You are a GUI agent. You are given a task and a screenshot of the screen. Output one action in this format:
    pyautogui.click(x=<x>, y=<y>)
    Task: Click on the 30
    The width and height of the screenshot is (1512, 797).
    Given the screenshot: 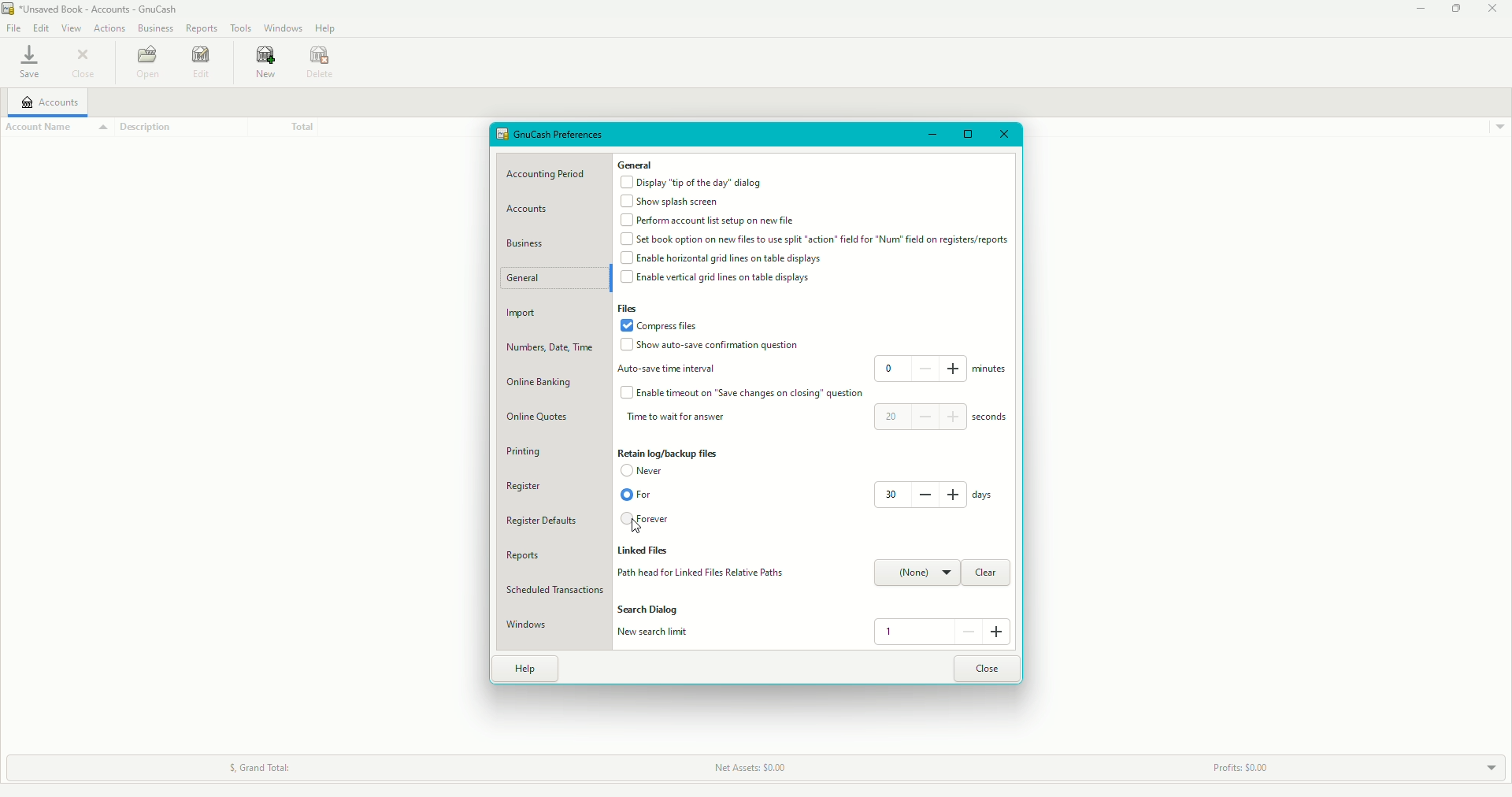 What is the action you would take?
    pyautogui.click(x=918, y=494)
    